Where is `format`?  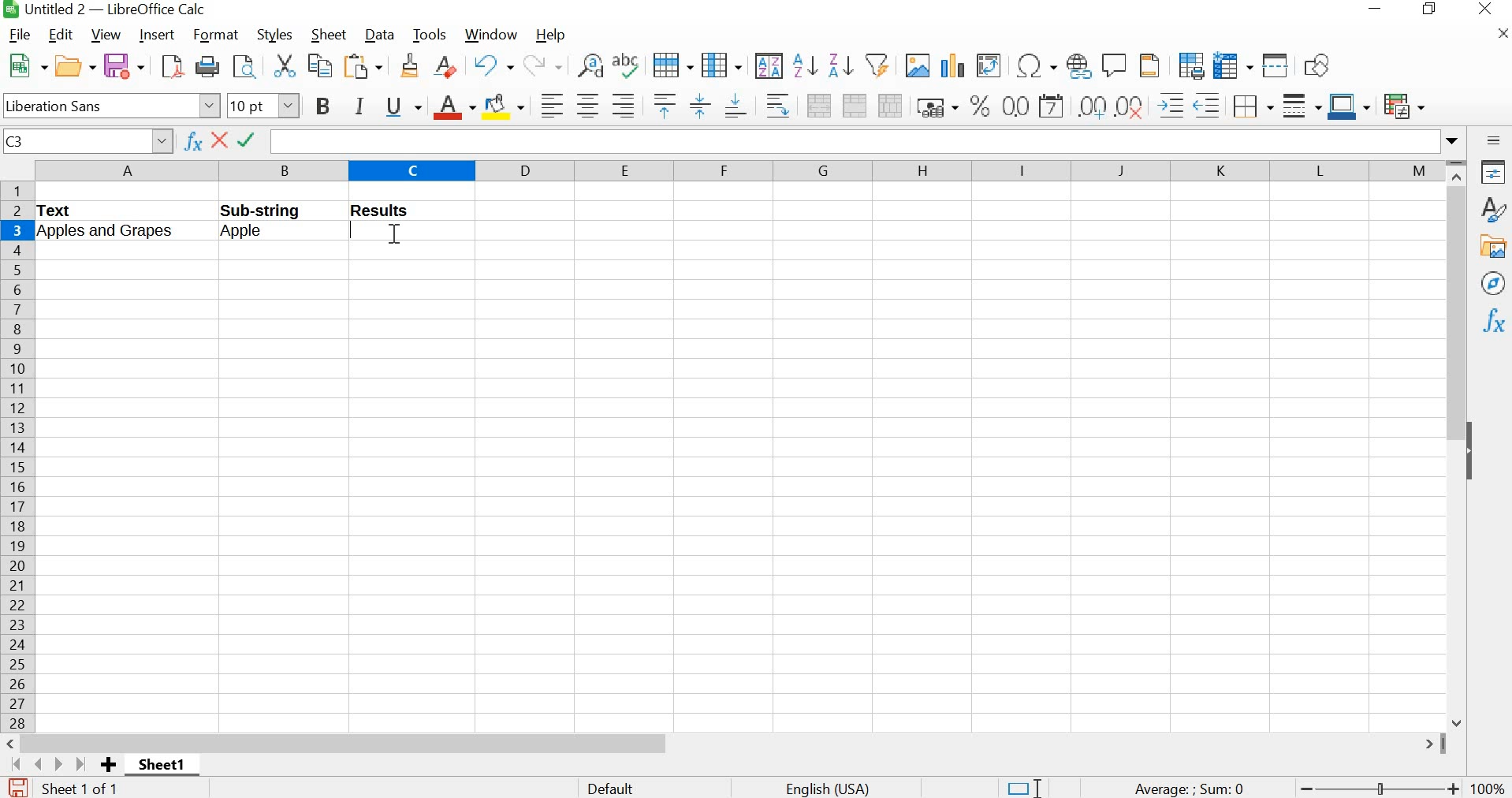
format is located at coordinates (217, 35).